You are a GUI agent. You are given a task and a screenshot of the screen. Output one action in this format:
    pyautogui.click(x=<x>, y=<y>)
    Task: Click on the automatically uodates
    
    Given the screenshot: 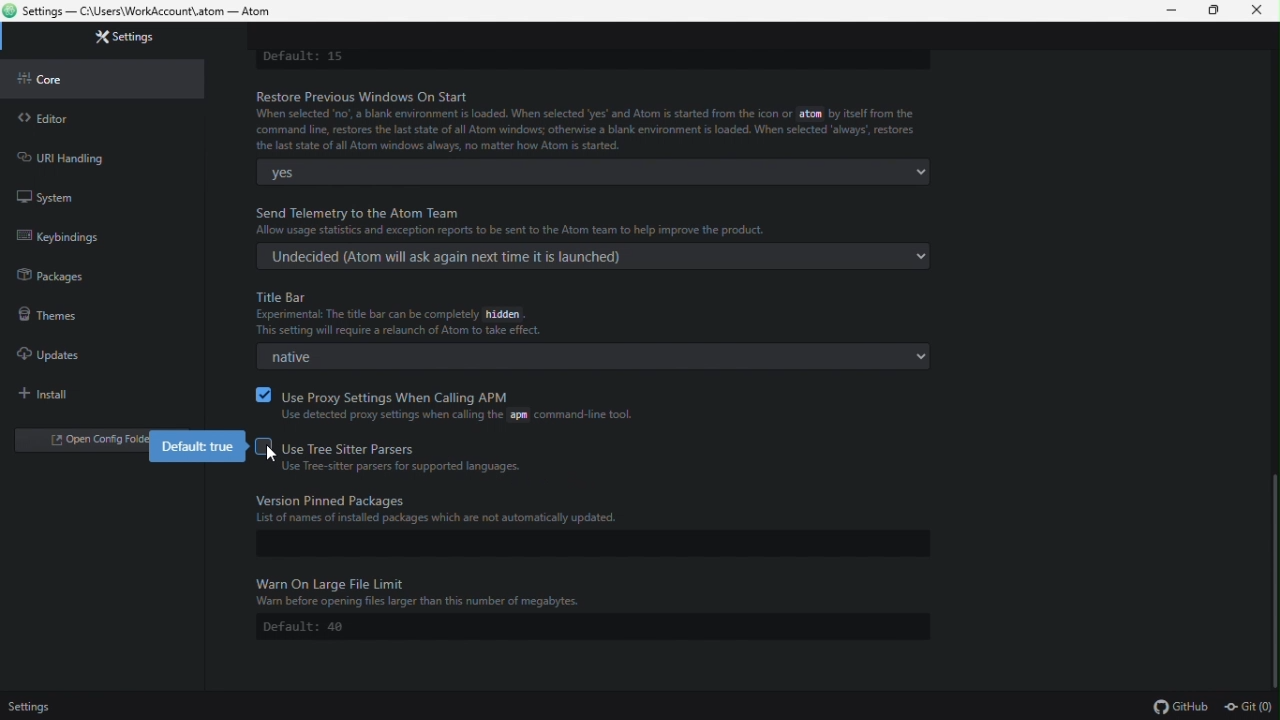 What is the action you would take?
    pyautogui.click(x=592, y=359)
    